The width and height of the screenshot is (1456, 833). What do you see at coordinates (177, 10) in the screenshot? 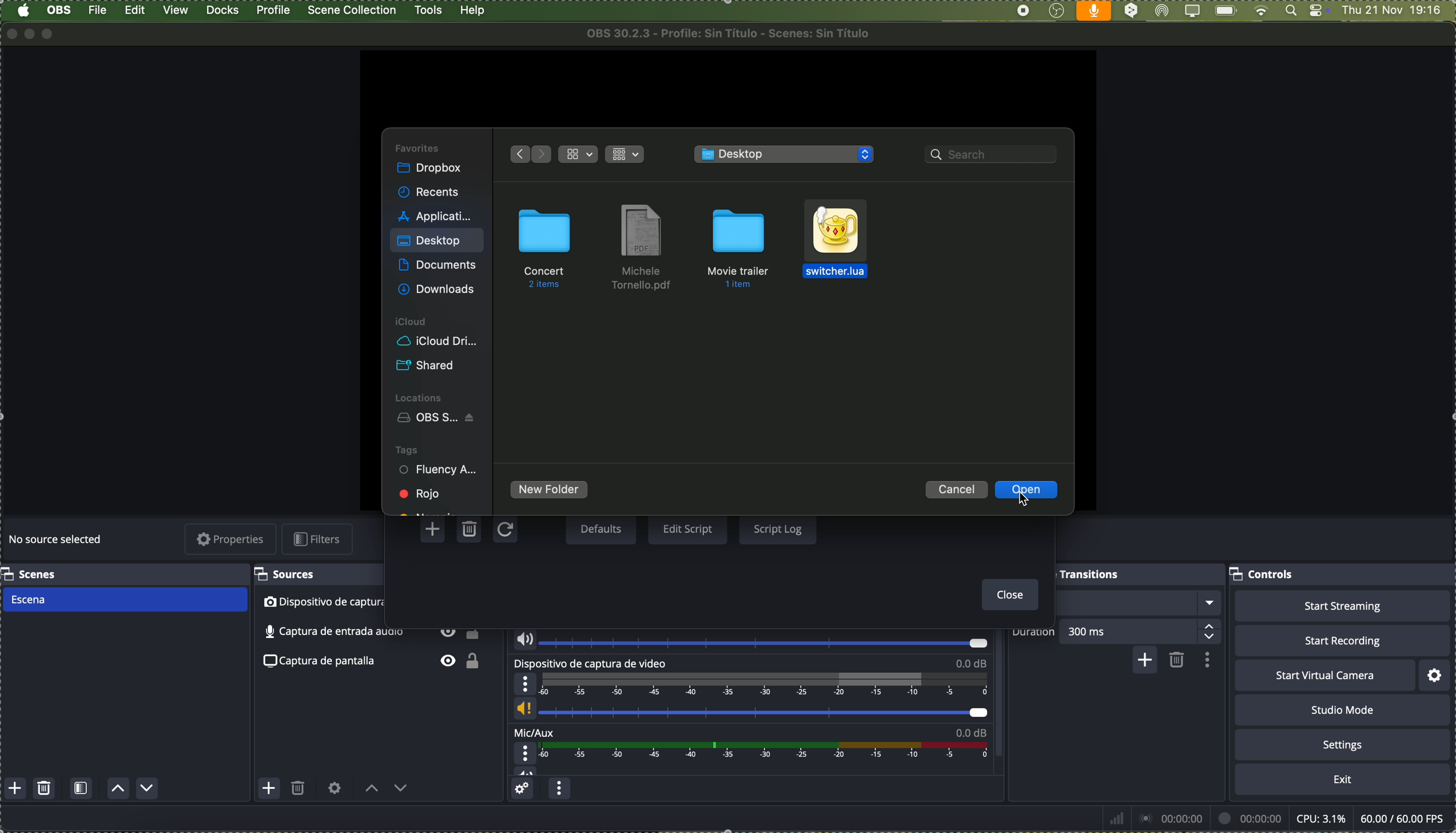
I see `view` at bounding box center [177, 10].